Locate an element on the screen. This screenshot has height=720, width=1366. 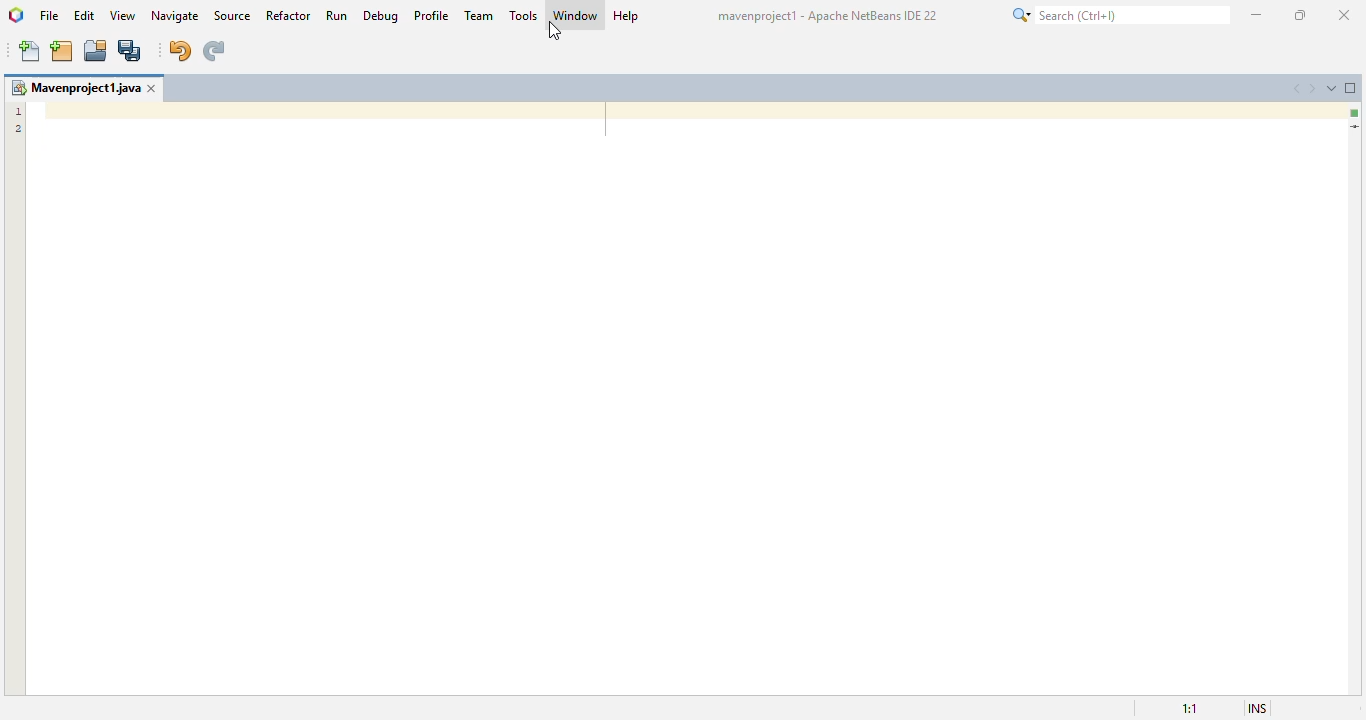
insert mode is located at coordinates (1252, 707).